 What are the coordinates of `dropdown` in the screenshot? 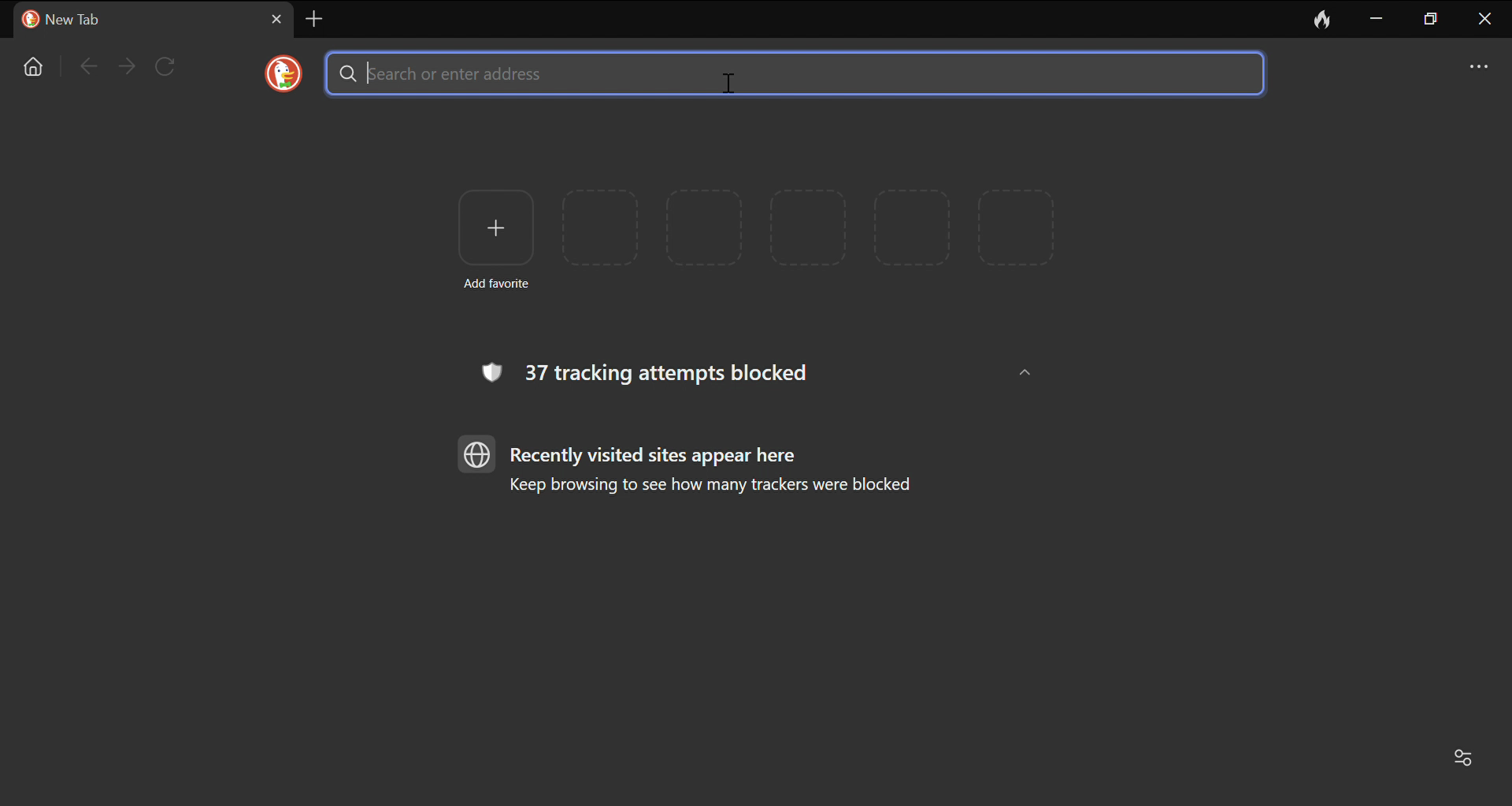 It's located at (1024, 374).